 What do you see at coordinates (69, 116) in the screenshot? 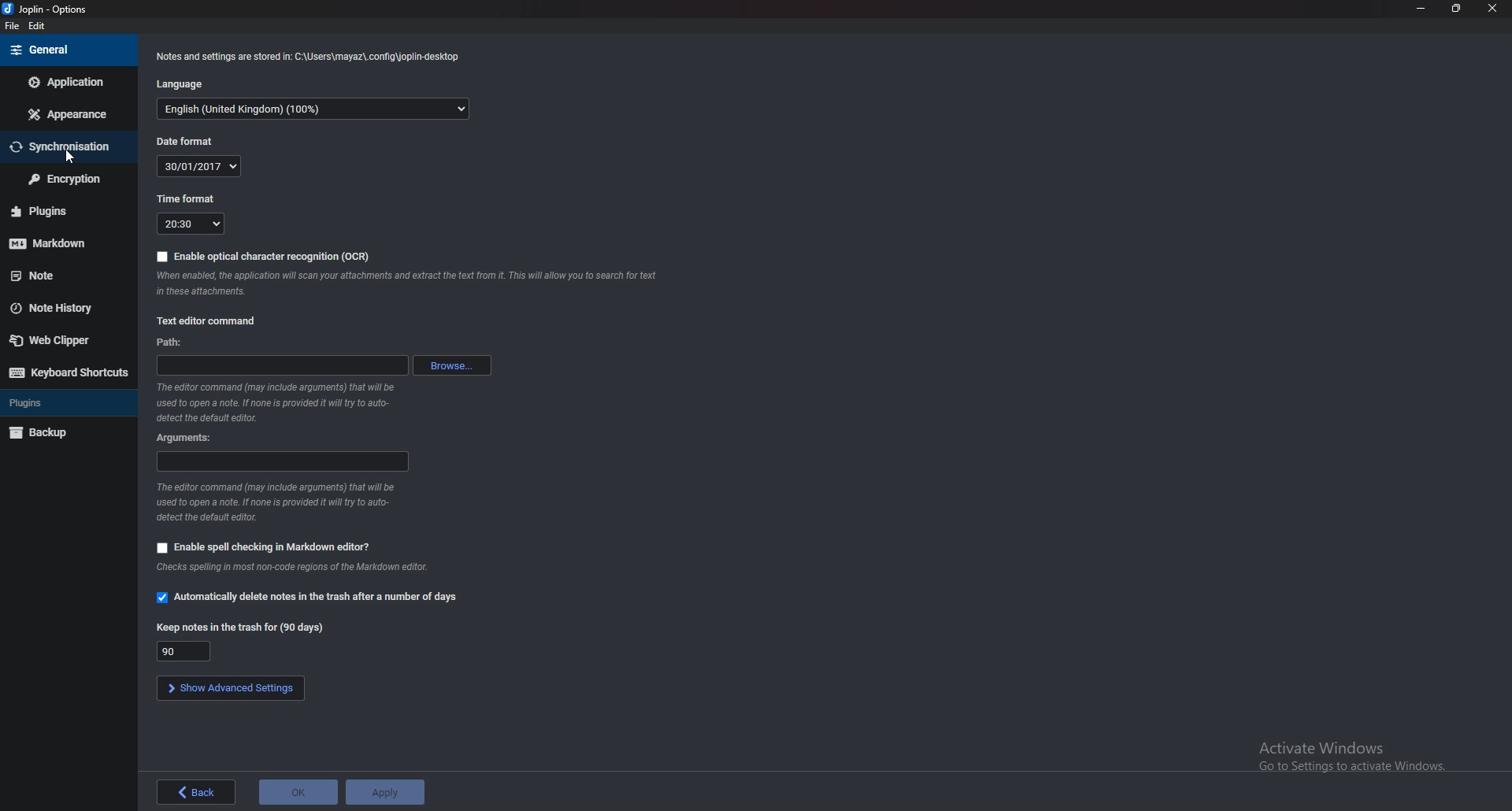
I see `appearance` at bounding box center [69, 116].